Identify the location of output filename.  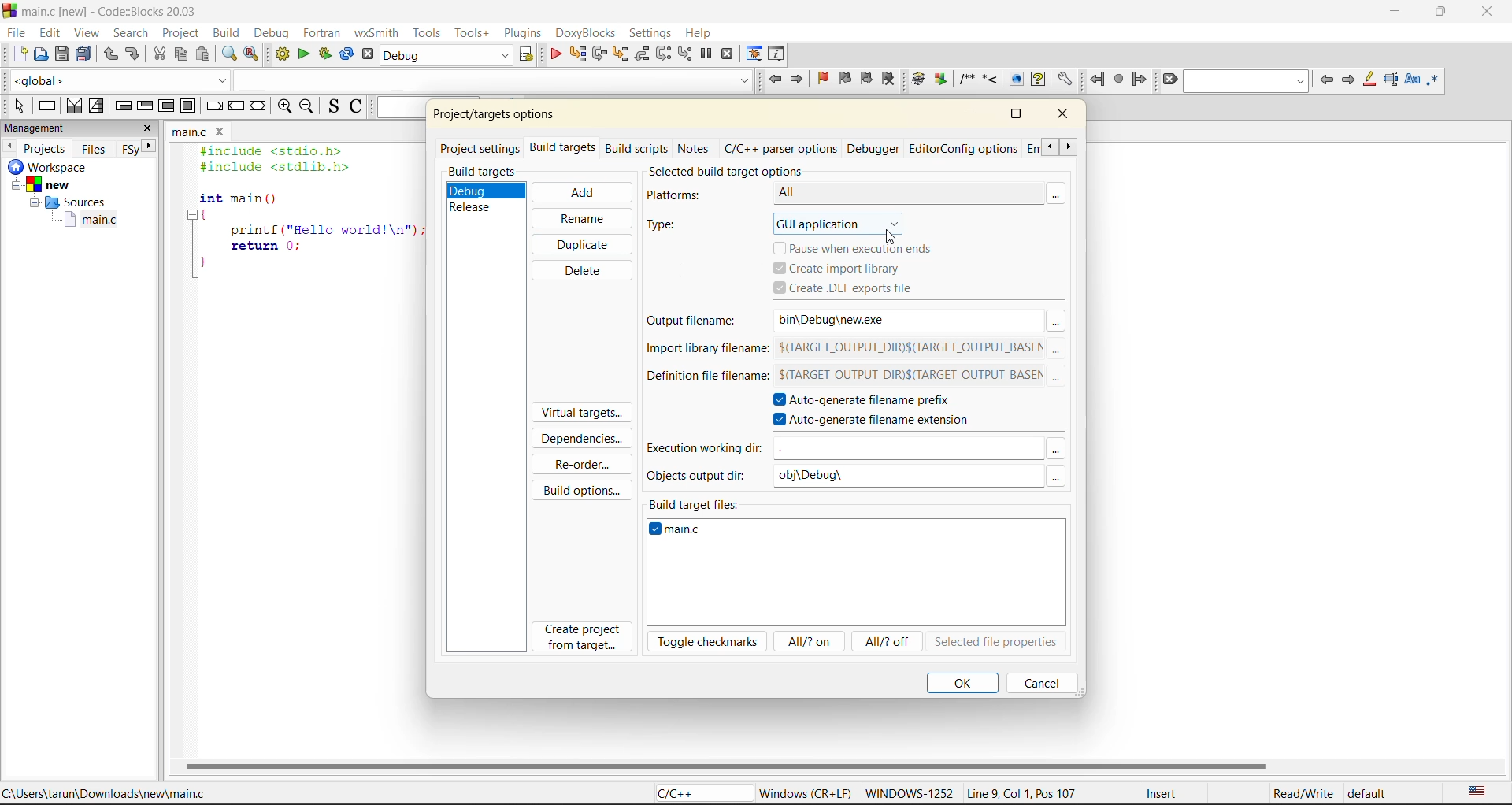
(697, 322).